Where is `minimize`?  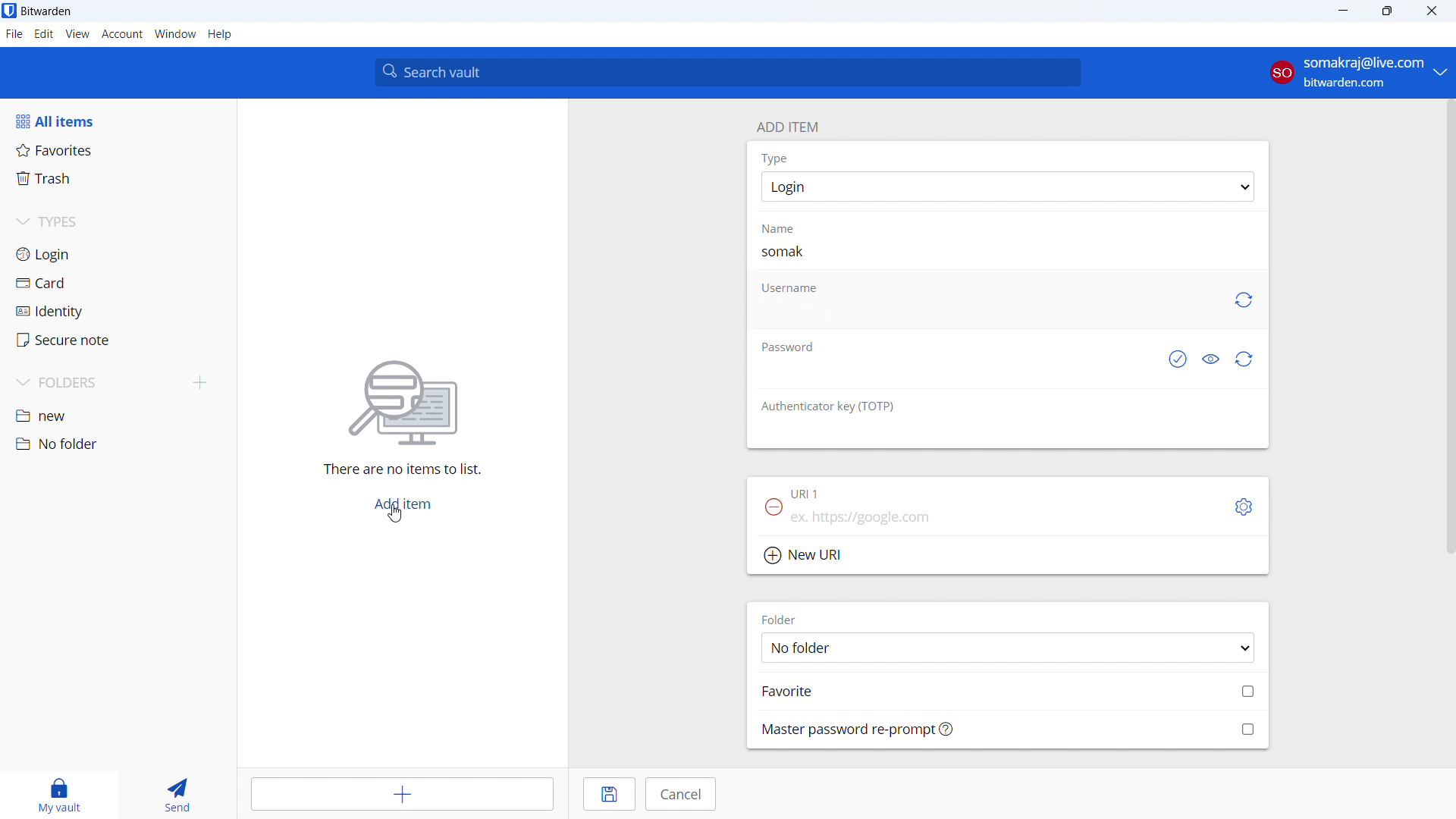
minimize is located at coordinates (1341, 11).